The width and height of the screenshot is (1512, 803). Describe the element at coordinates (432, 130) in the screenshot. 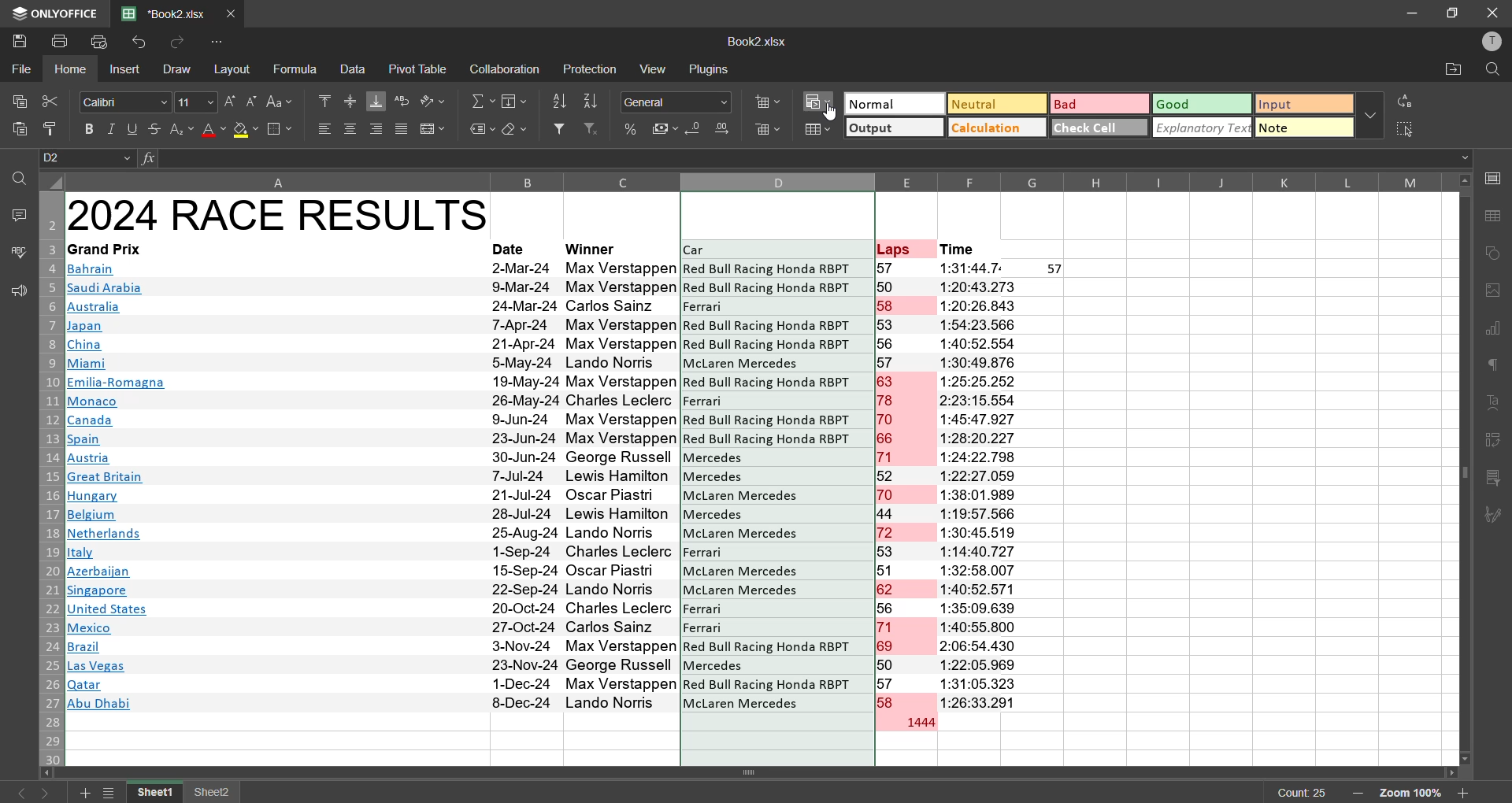

I see `merge and center` at that location.